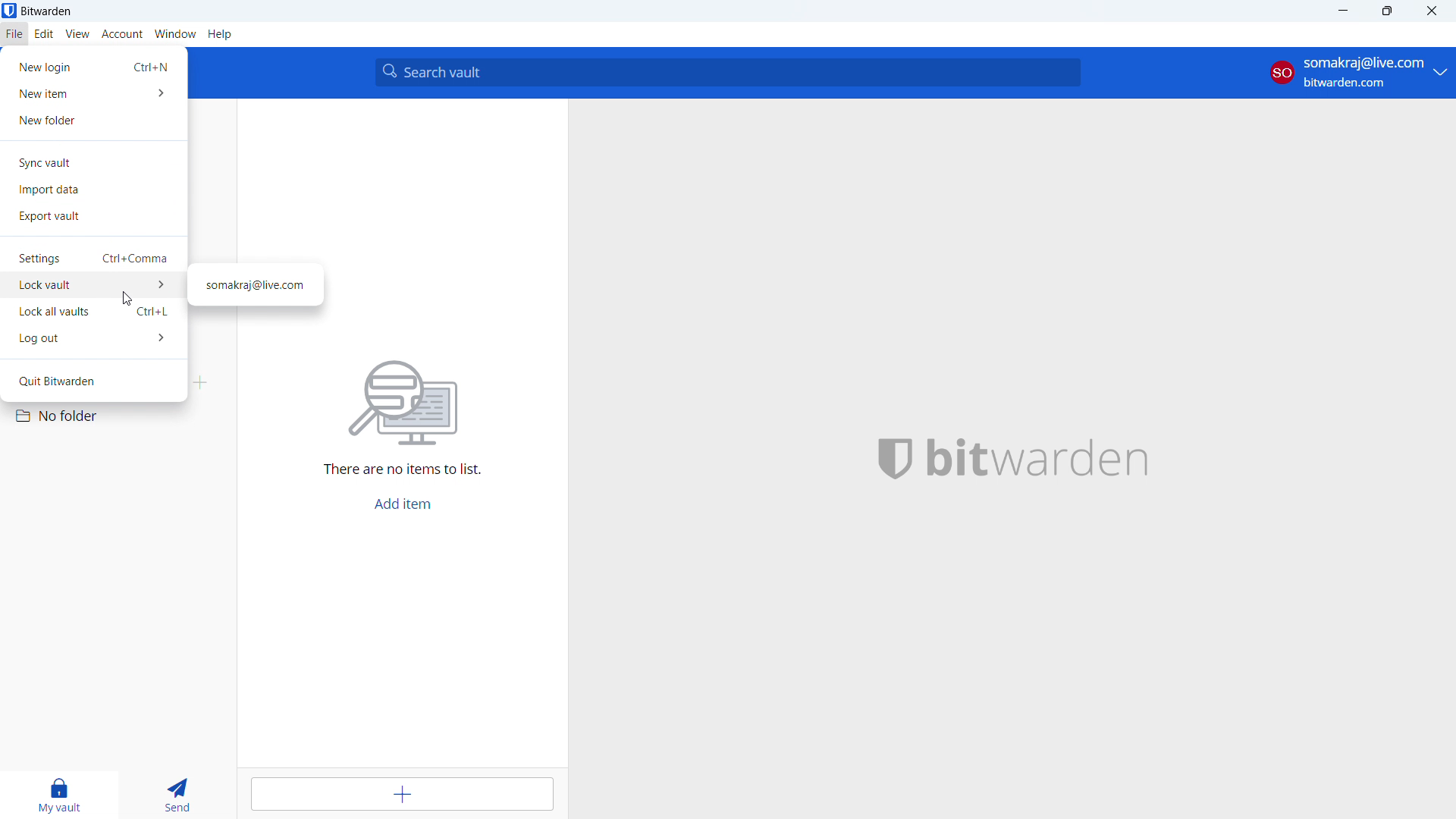 The image size is (1456, 819). What do you see at coordinates (123, 35) in the screenshot?
I see `account` at bounding box center [123, 35].